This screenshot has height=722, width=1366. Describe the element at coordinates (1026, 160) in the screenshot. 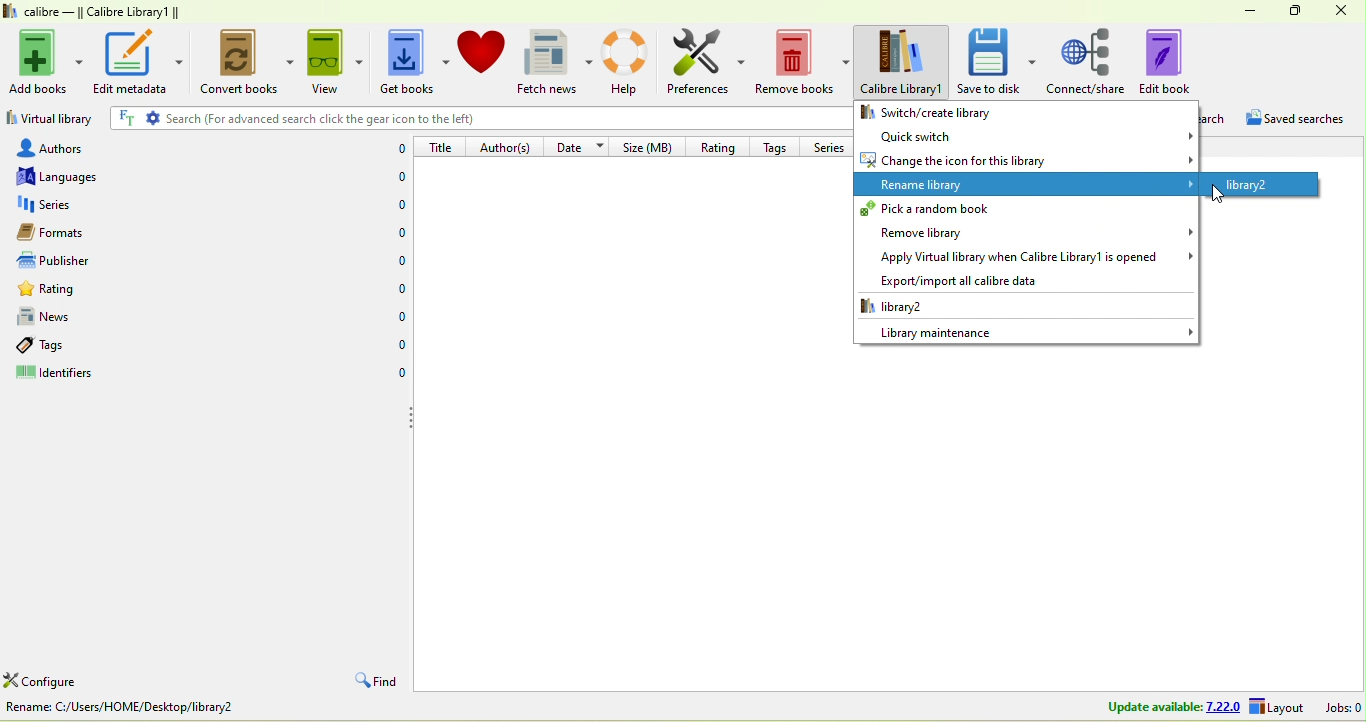

I see `change the icon for this library` at that location.